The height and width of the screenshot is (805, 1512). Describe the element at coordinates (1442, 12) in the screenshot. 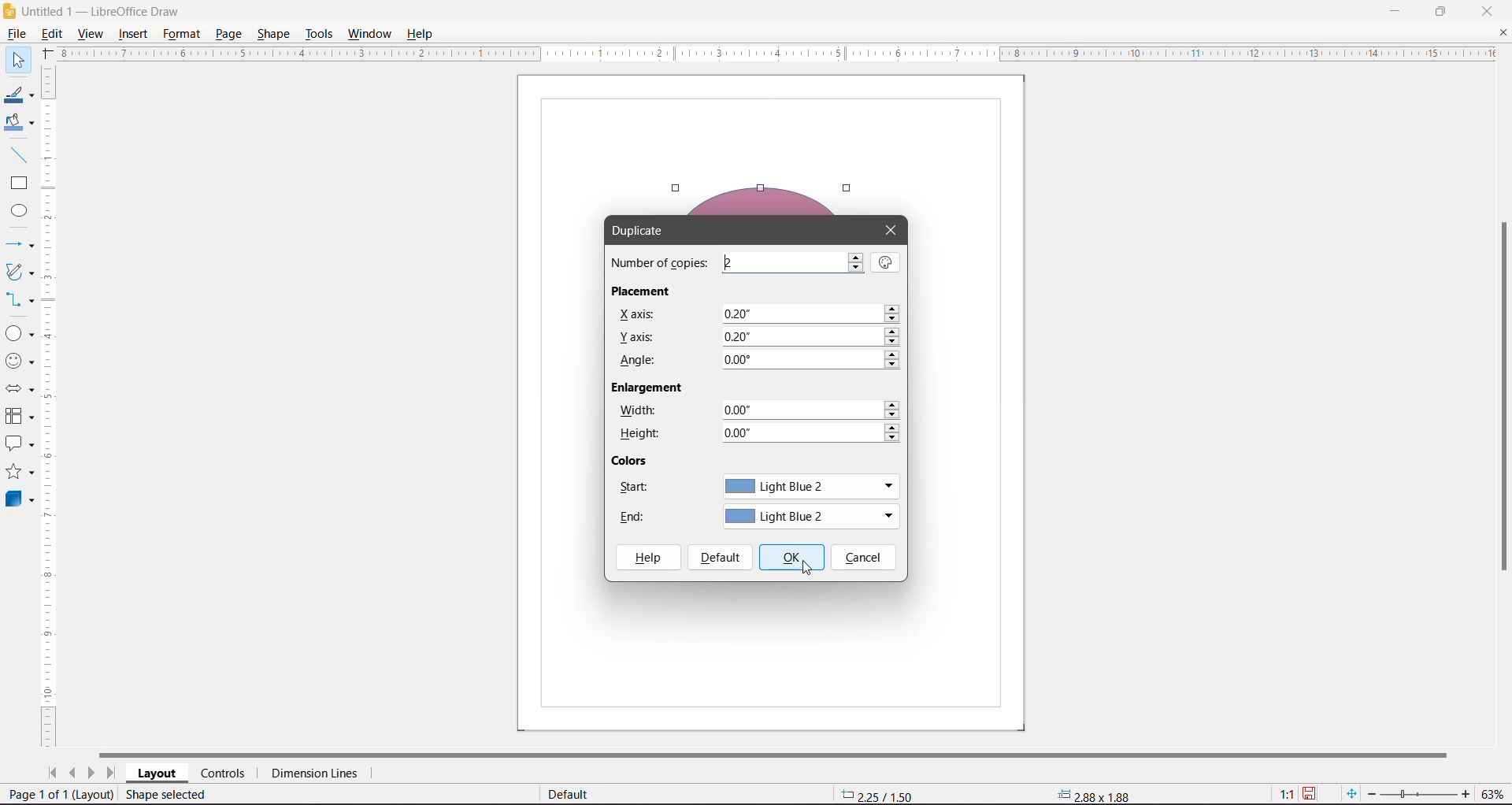

I see `Restore Down` at that location.